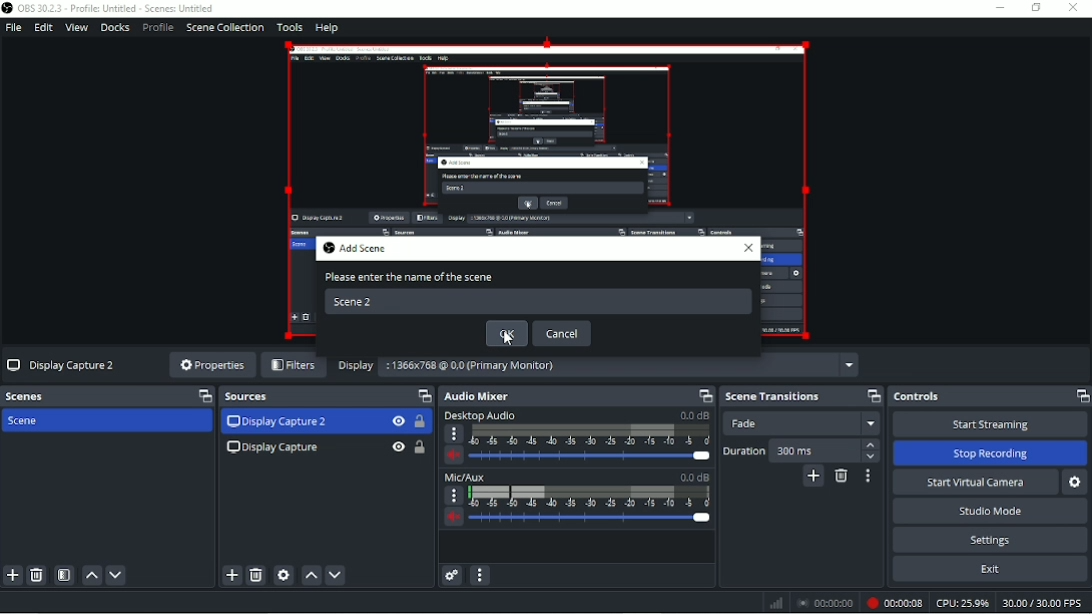  Describe the element at coordinates (873, 396) in the screenshot. I see `Maximize` at that location.